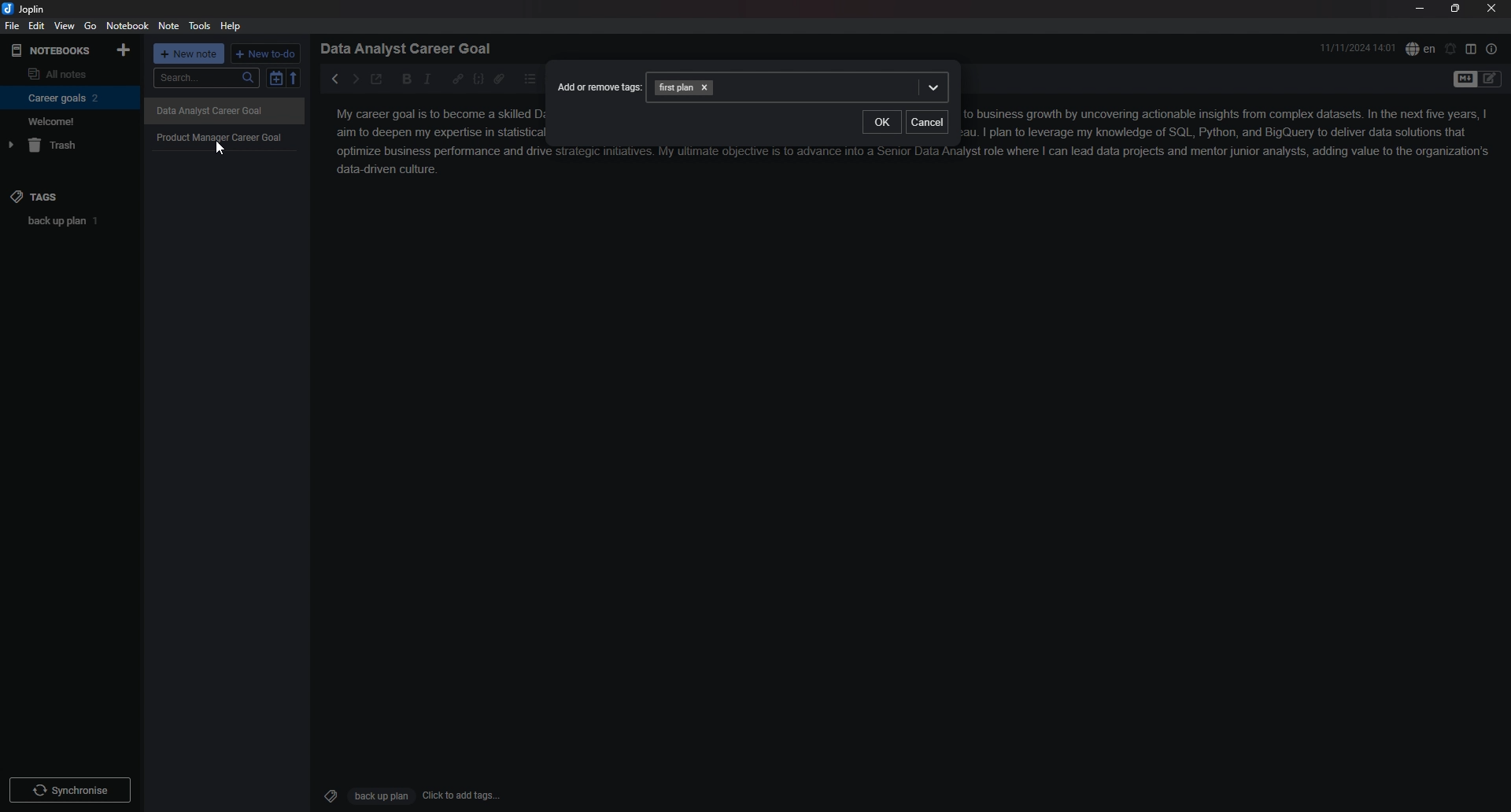  I want to click on note properties, so click(1492, 49).